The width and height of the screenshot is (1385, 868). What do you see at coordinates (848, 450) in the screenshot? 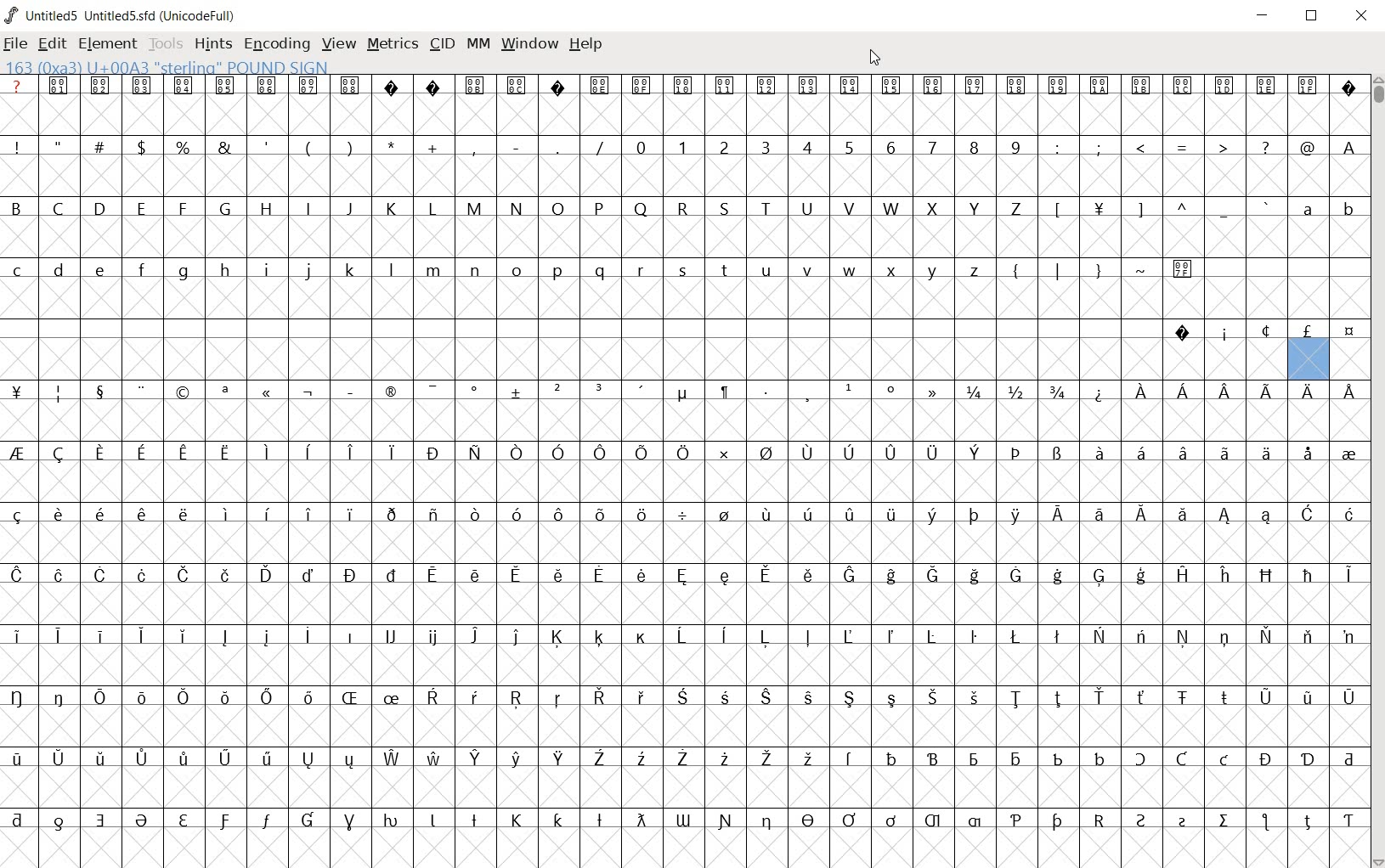
I see `Symbol` at bounding box center [848, 450].